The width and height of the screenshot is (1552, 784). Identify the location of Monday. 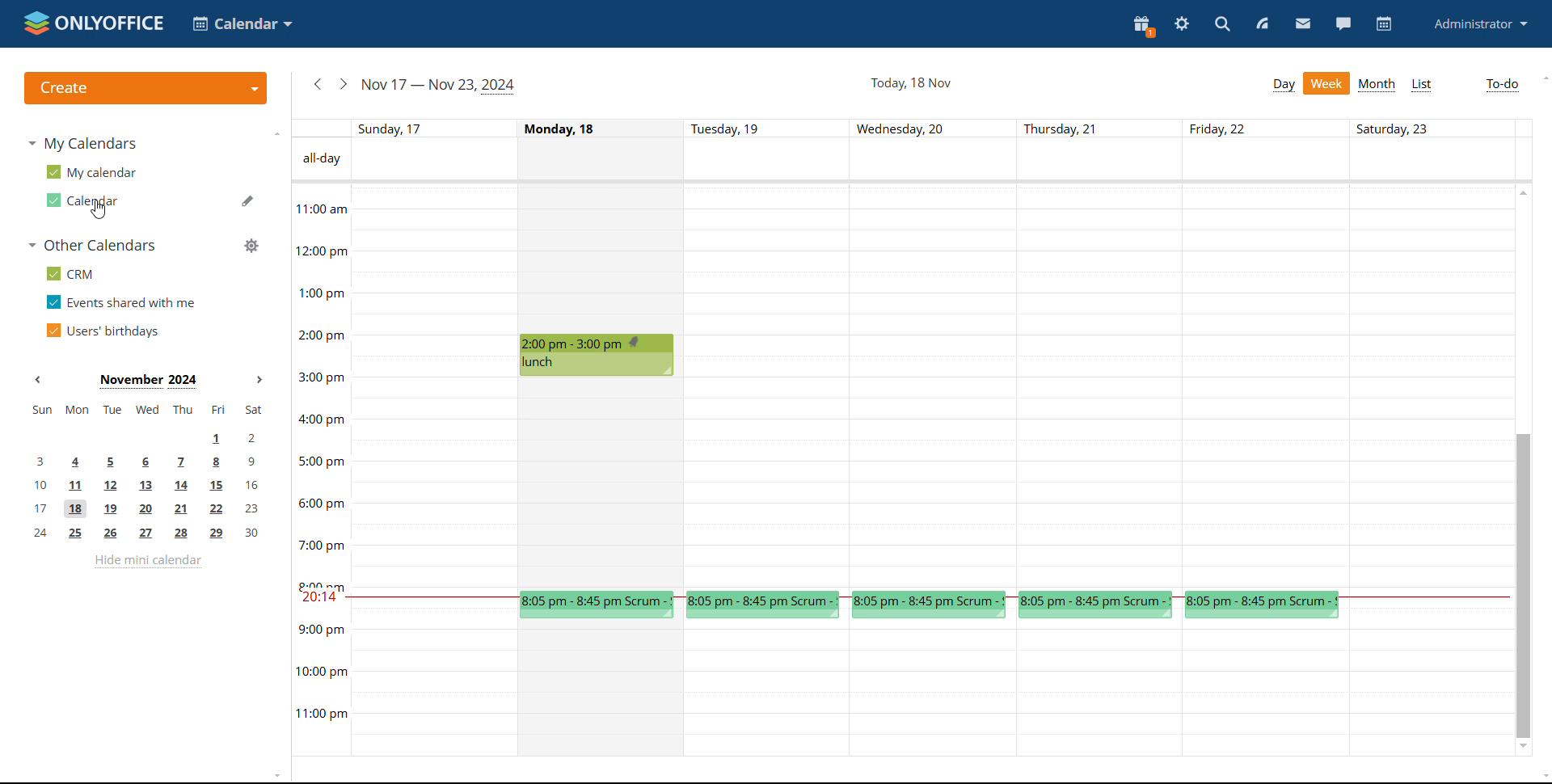
(601, 692).